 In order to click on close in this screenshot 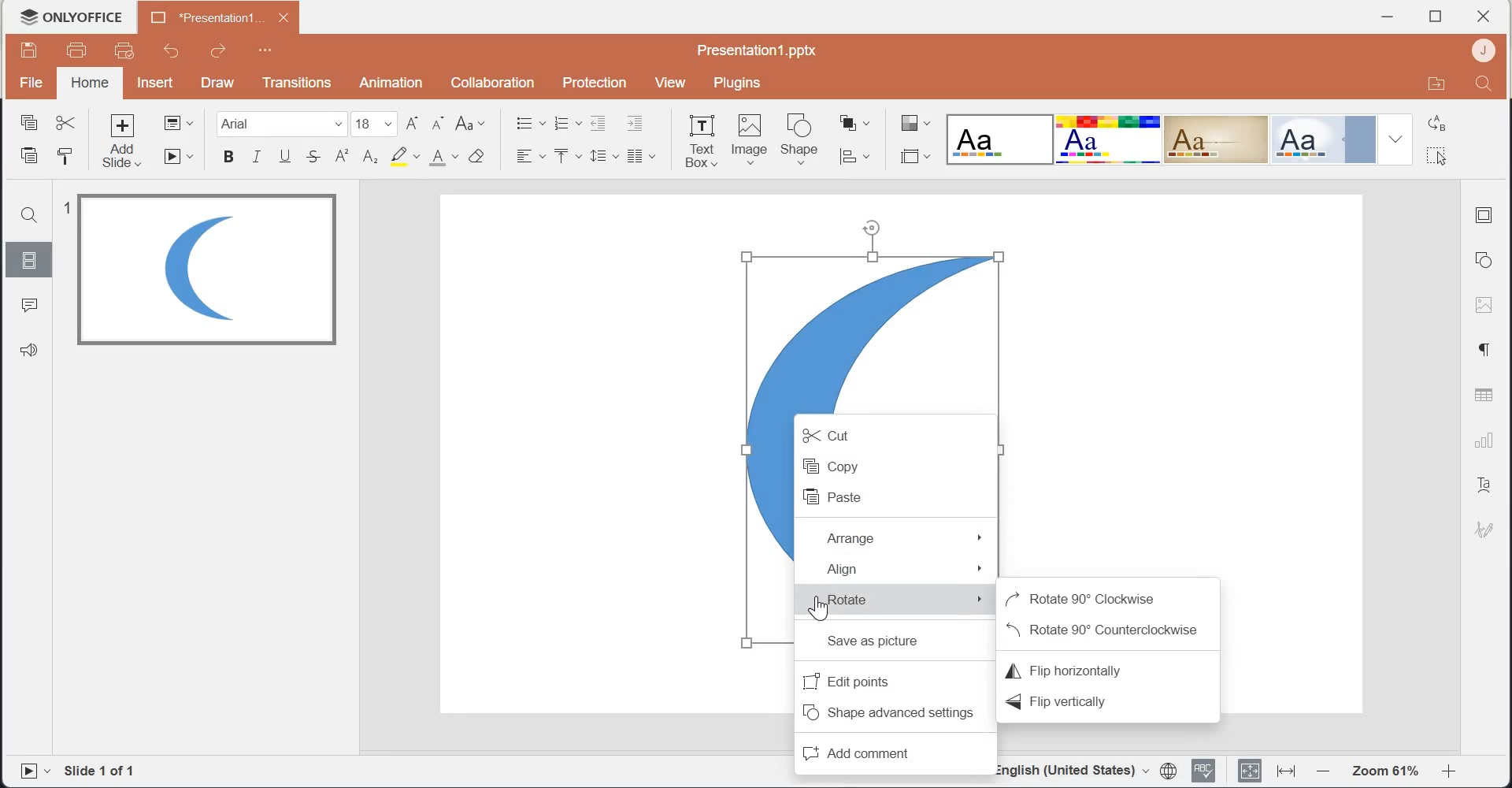, I will do `click(283, 17)`.